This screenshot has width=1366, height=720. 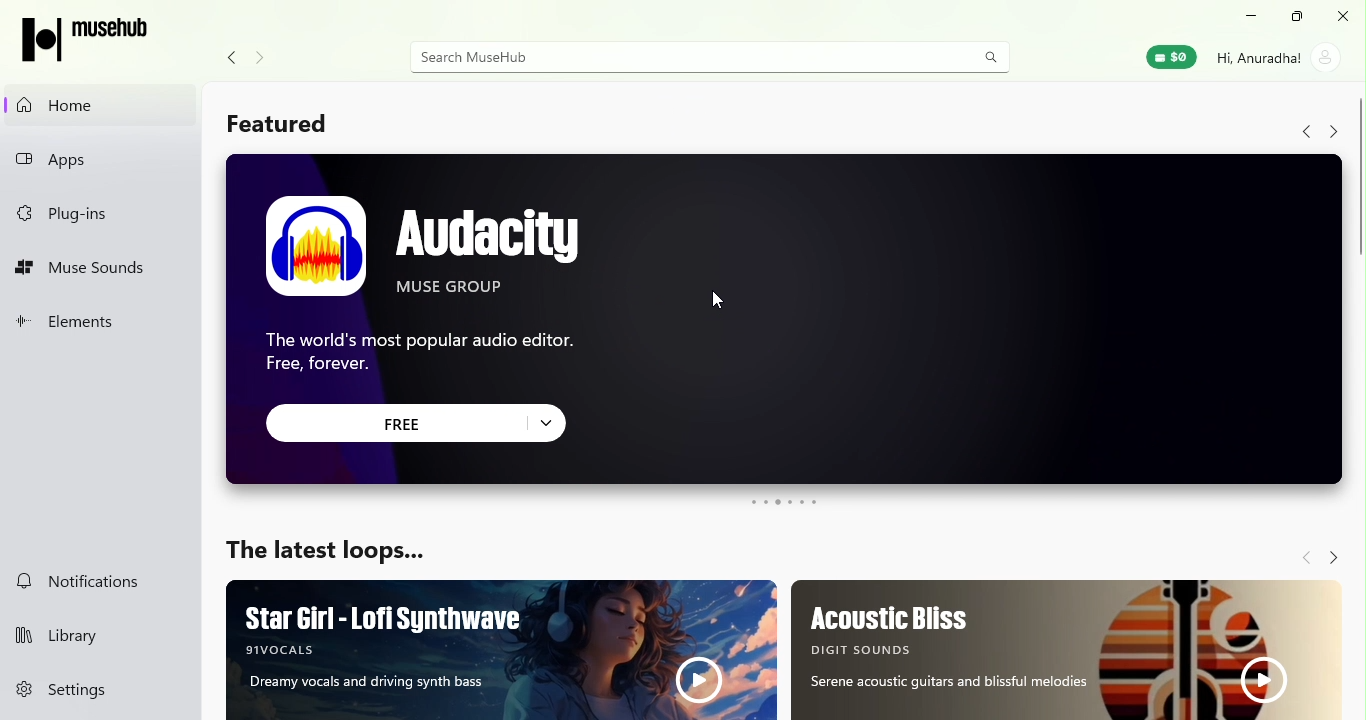 I want to click on Navigate forward, so click(x=1331, y=133).